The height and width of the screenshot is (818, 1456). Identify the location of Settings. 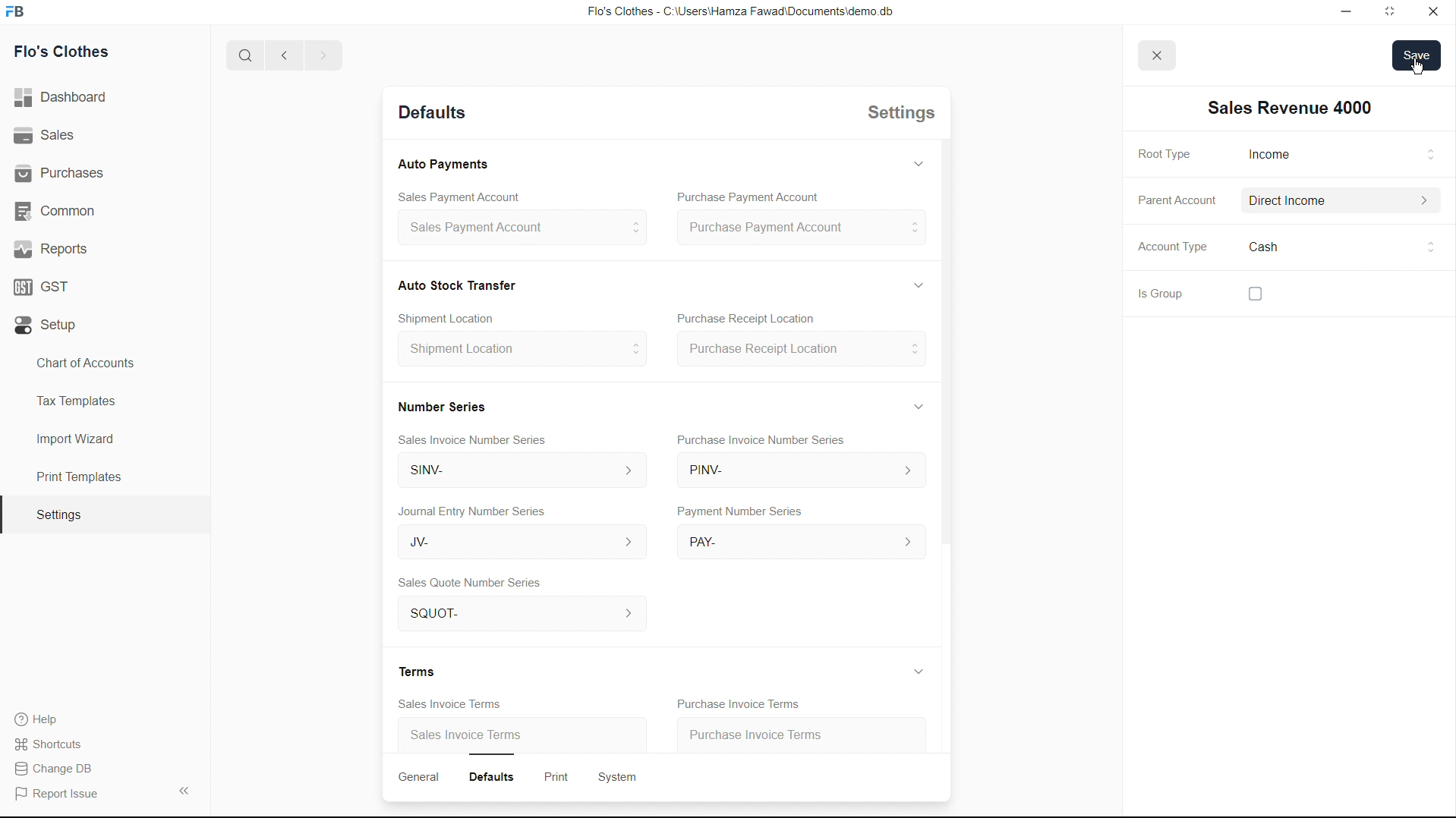
(58, 515).